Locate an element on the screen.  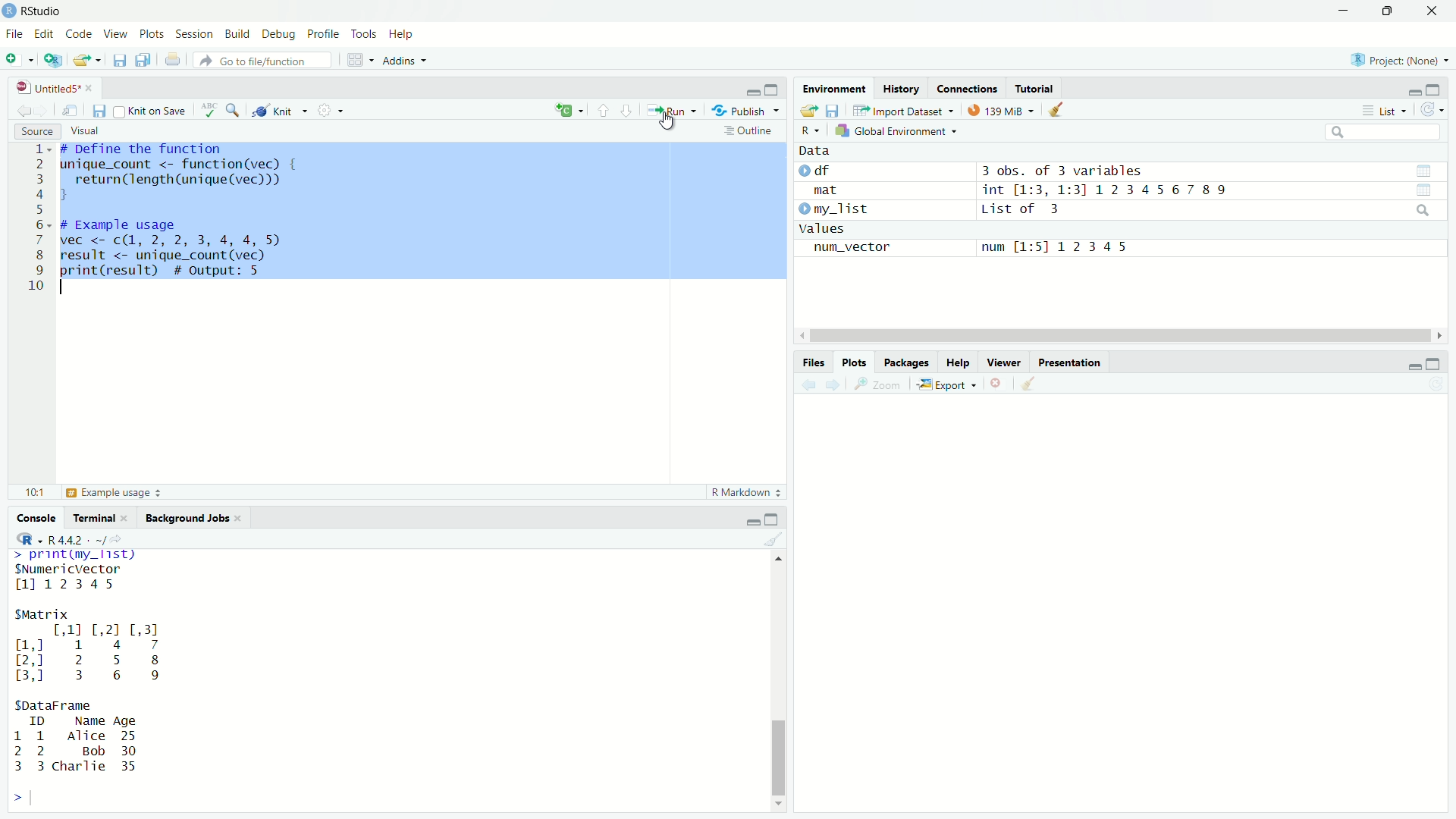
maximize is located at coordinates (1435, 91).